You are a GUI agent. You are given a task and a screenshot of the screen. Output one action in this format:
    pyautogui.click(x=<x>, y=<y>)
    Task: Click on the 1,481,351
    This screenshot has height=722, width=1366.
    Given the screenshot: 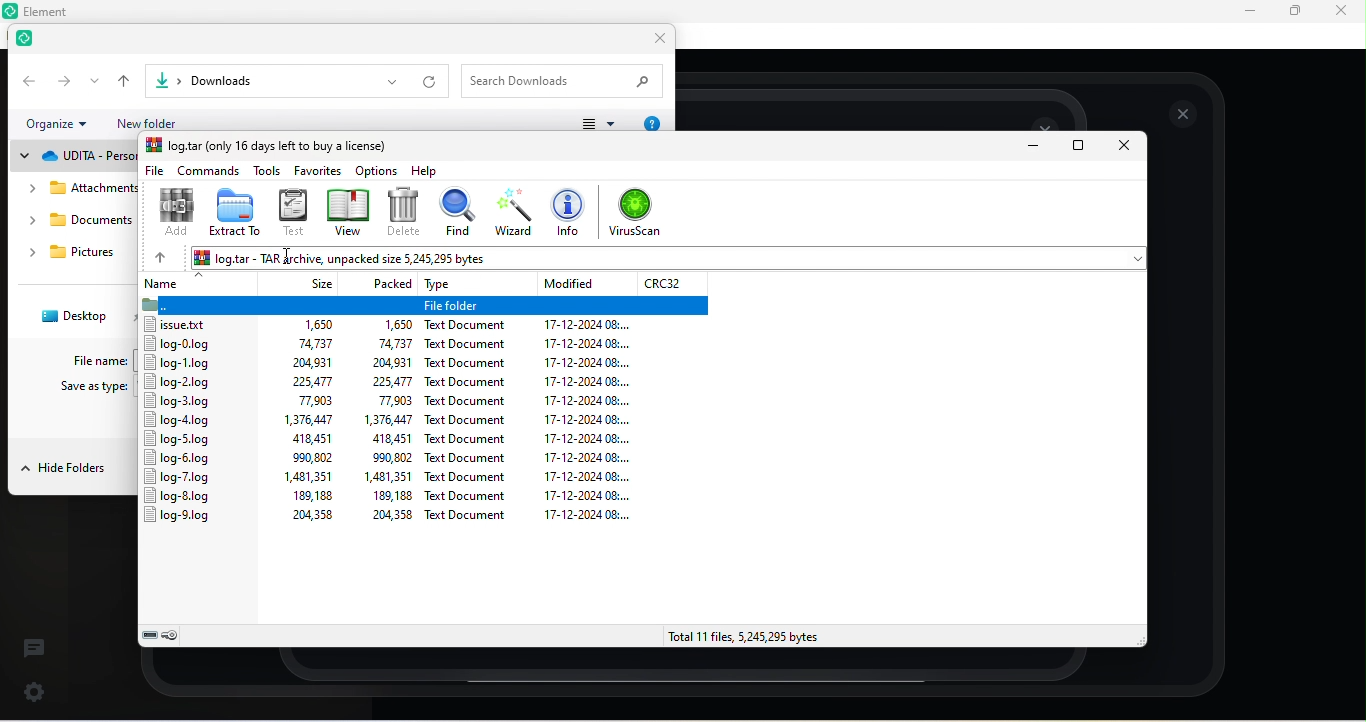 What is the action you would take?
    pyautogui.click(x=386, y=477)
    